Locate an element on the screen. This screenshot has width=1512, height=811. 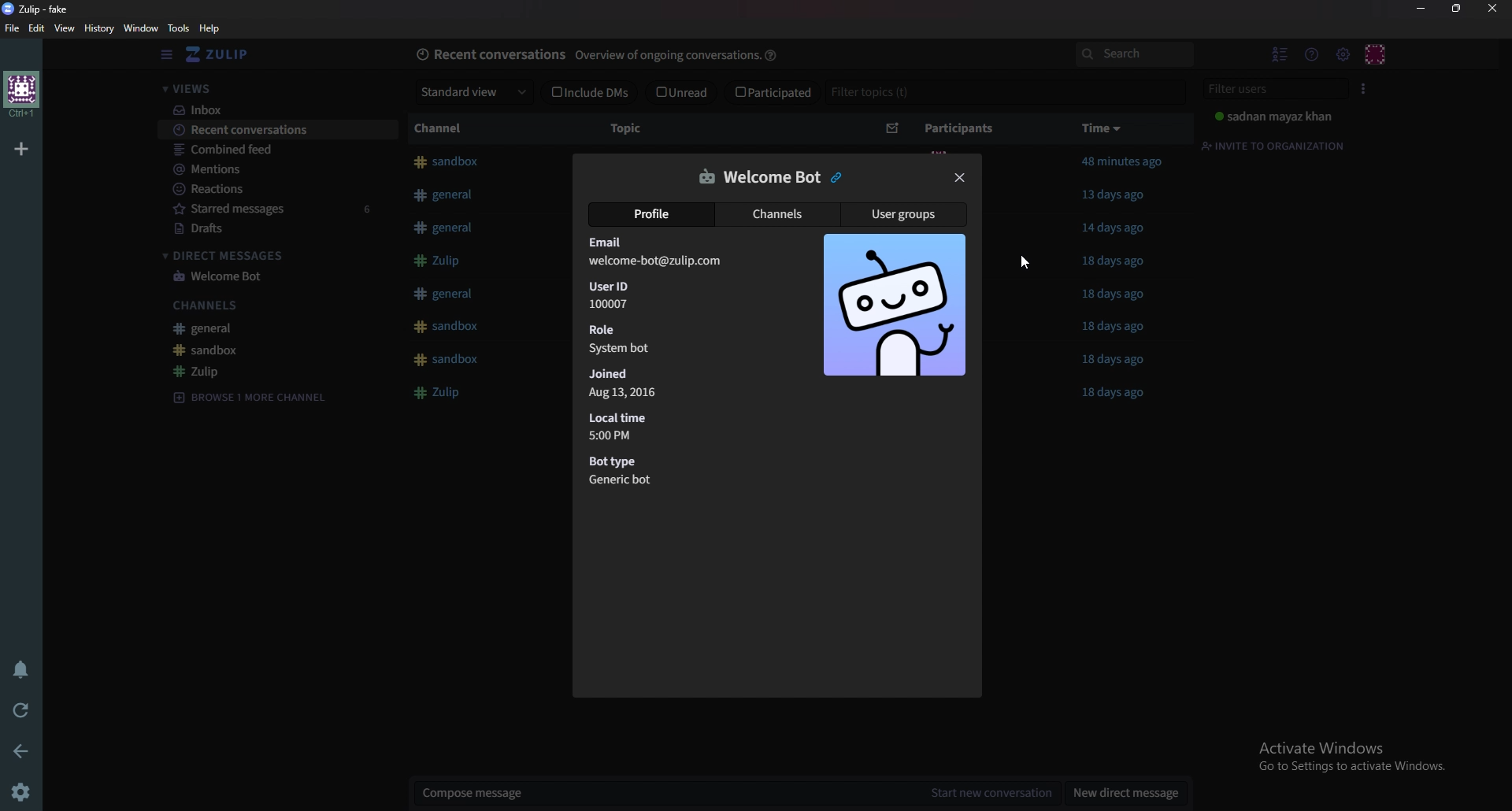
13 days ago is located at coordinates (1118, 194).